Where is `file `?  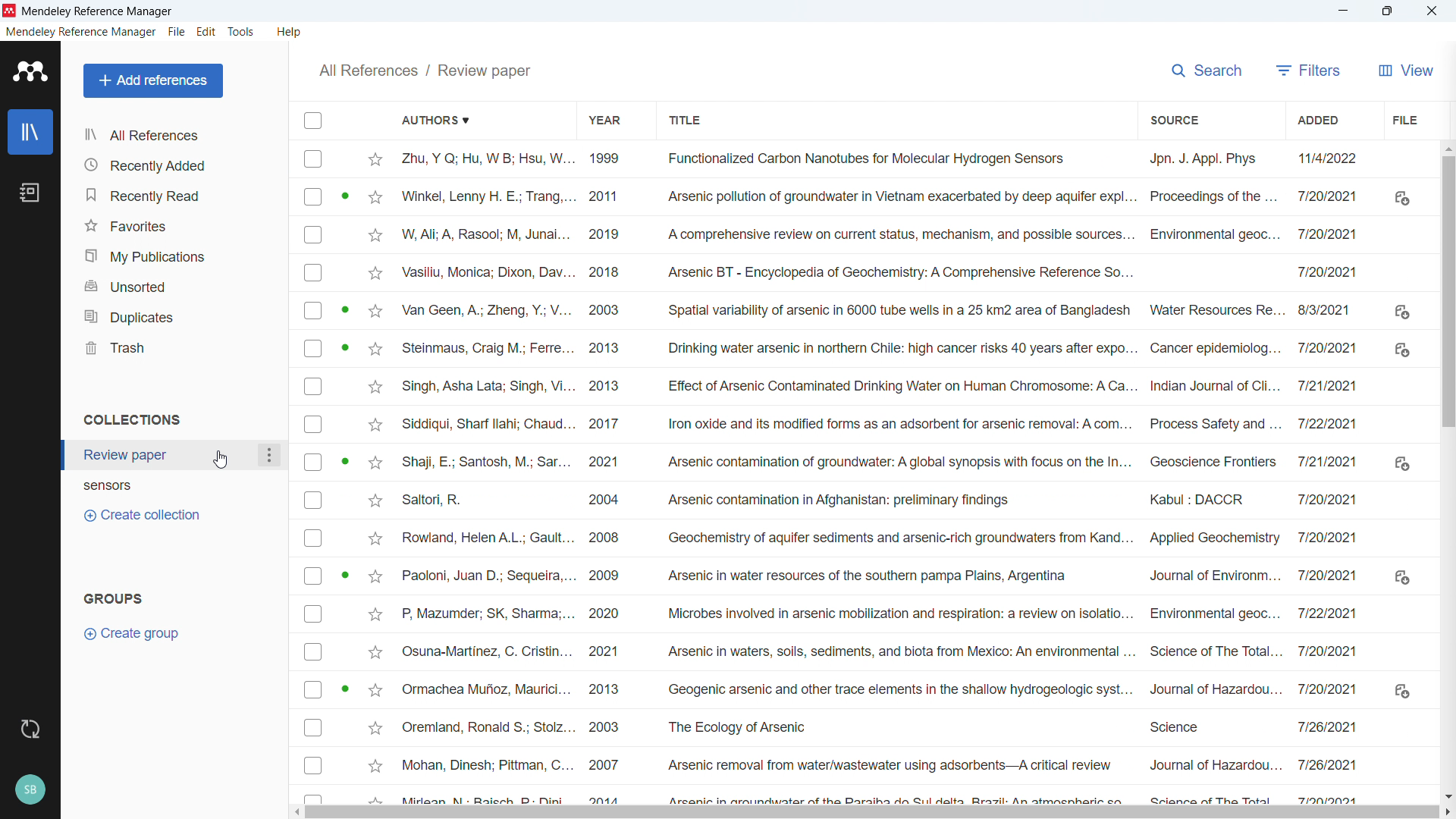
file  is located at coordinates (1403, 120).